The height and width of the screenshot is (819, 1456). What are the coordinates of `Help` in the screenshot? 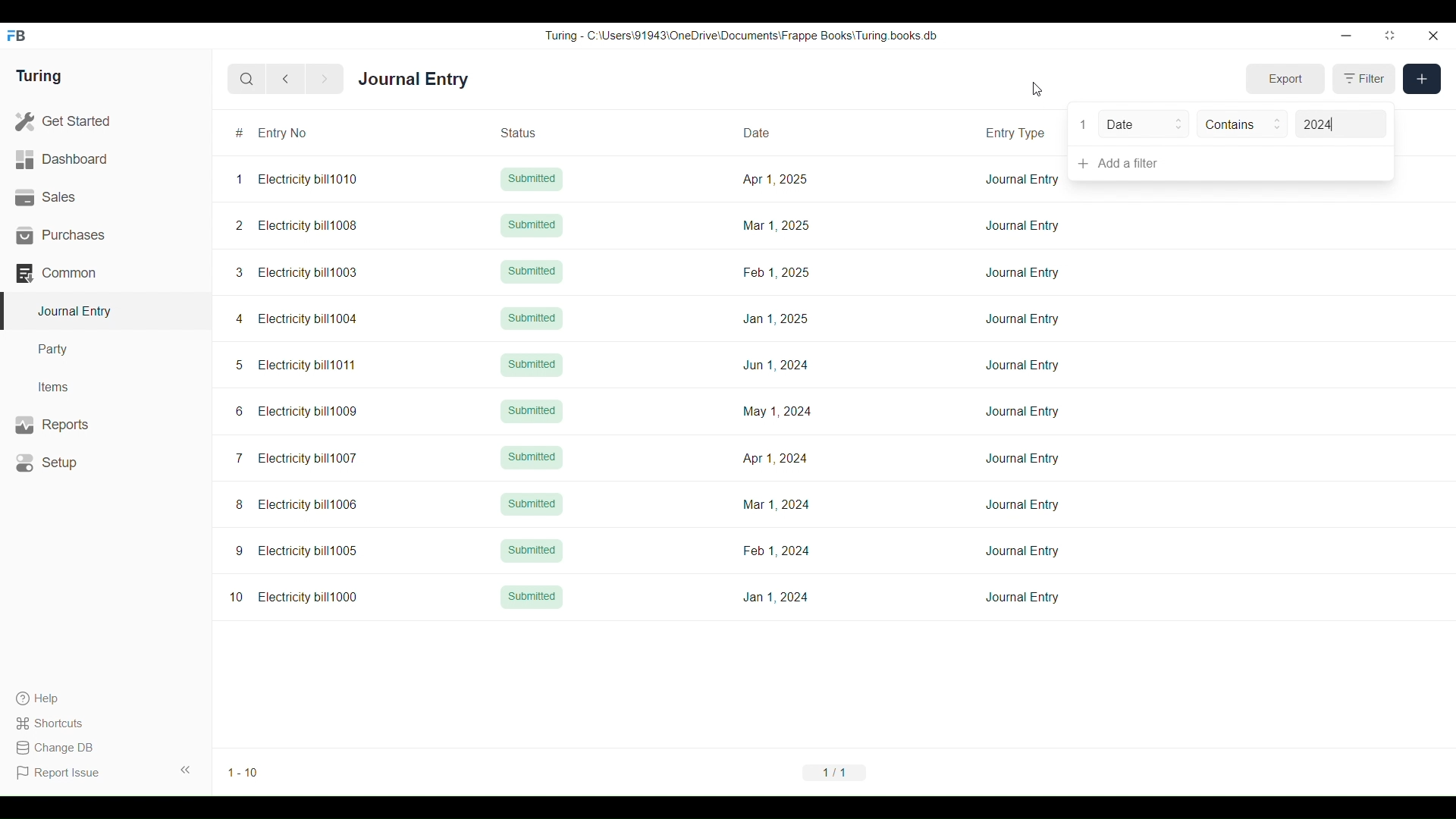 It's located at (57, 698).